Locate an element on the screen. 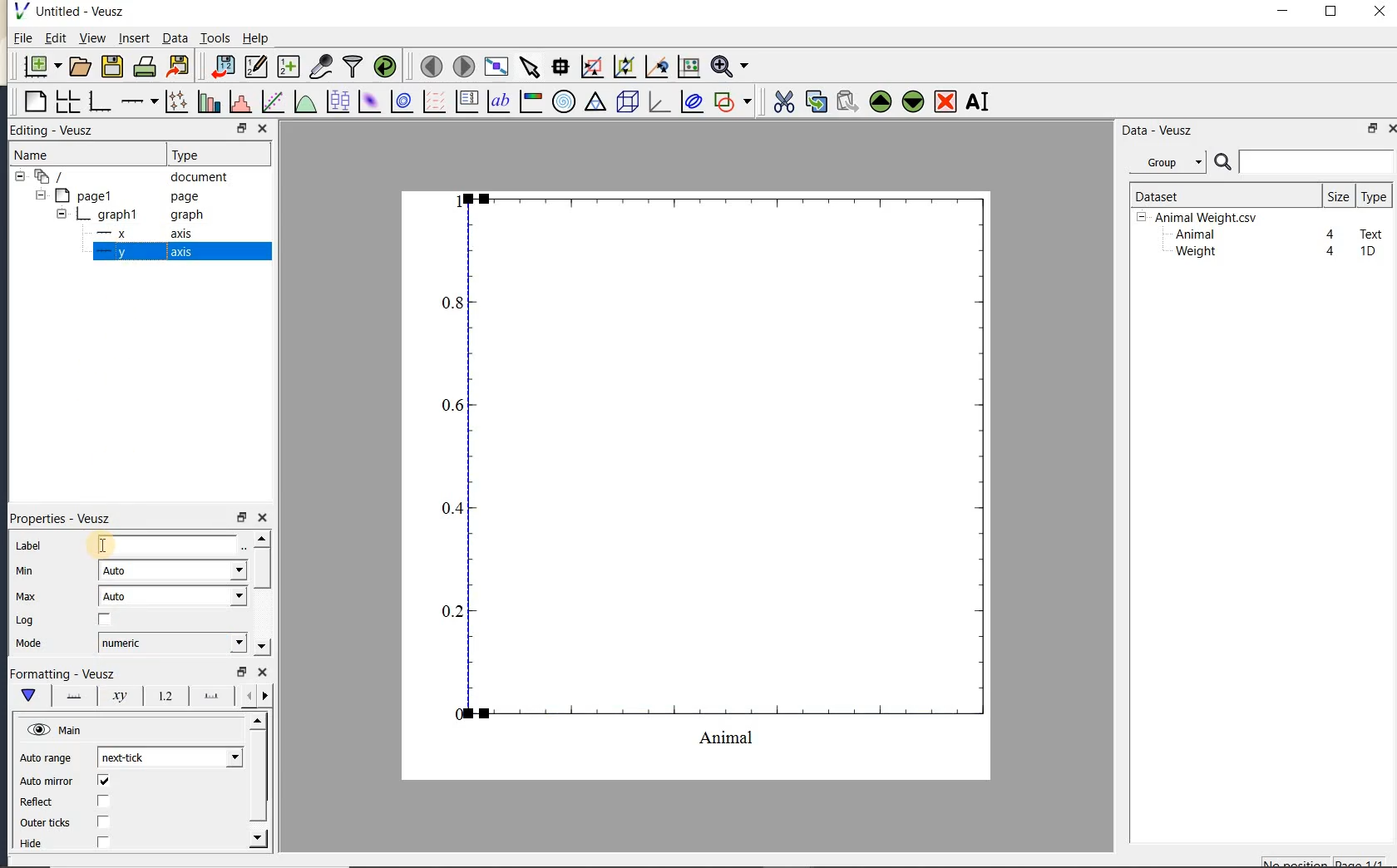 Image resolution: width=1397 pixels, height=868 pixels. check/uncheck is located at coordinates (104, 821).